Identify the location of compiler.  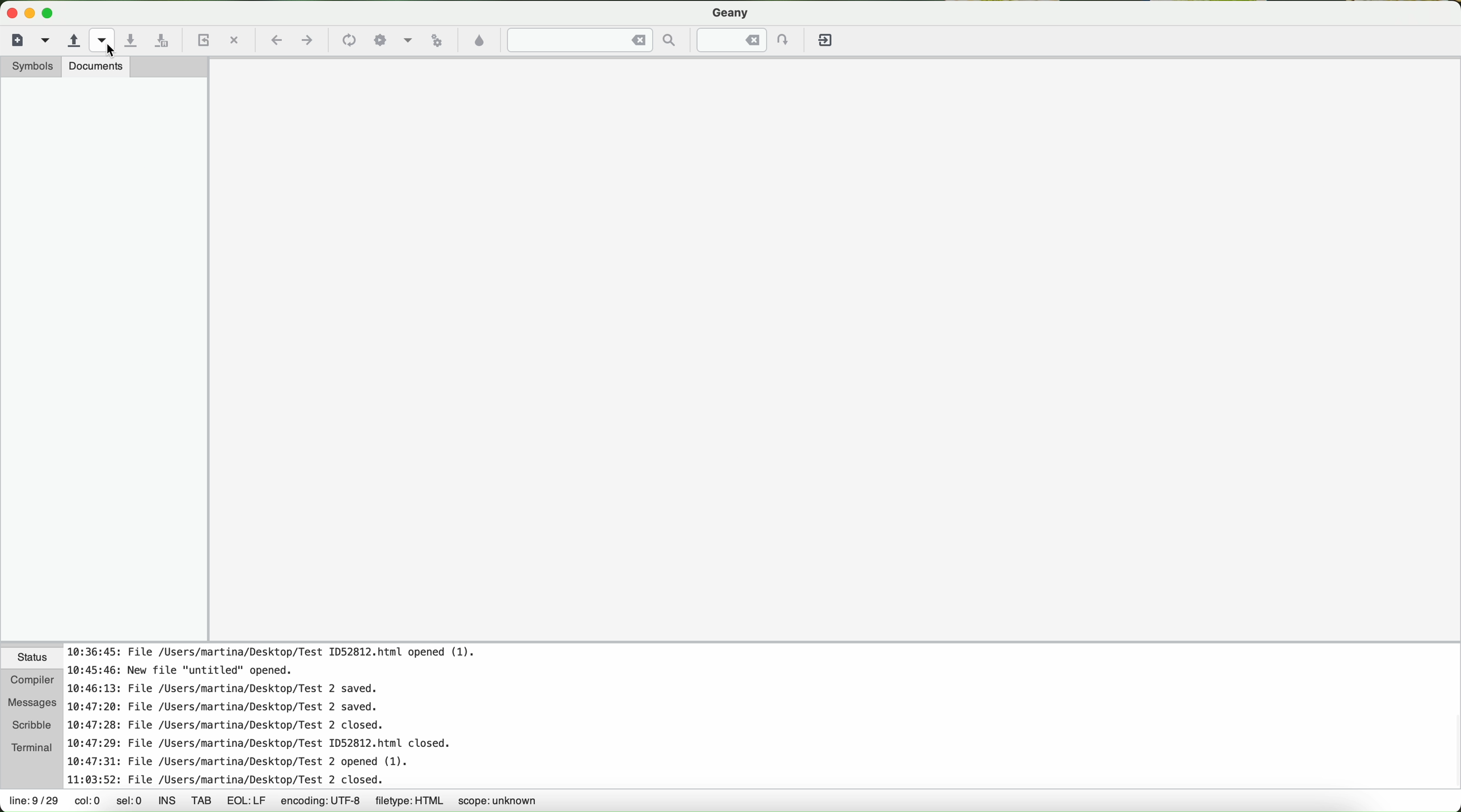
(29, 682).